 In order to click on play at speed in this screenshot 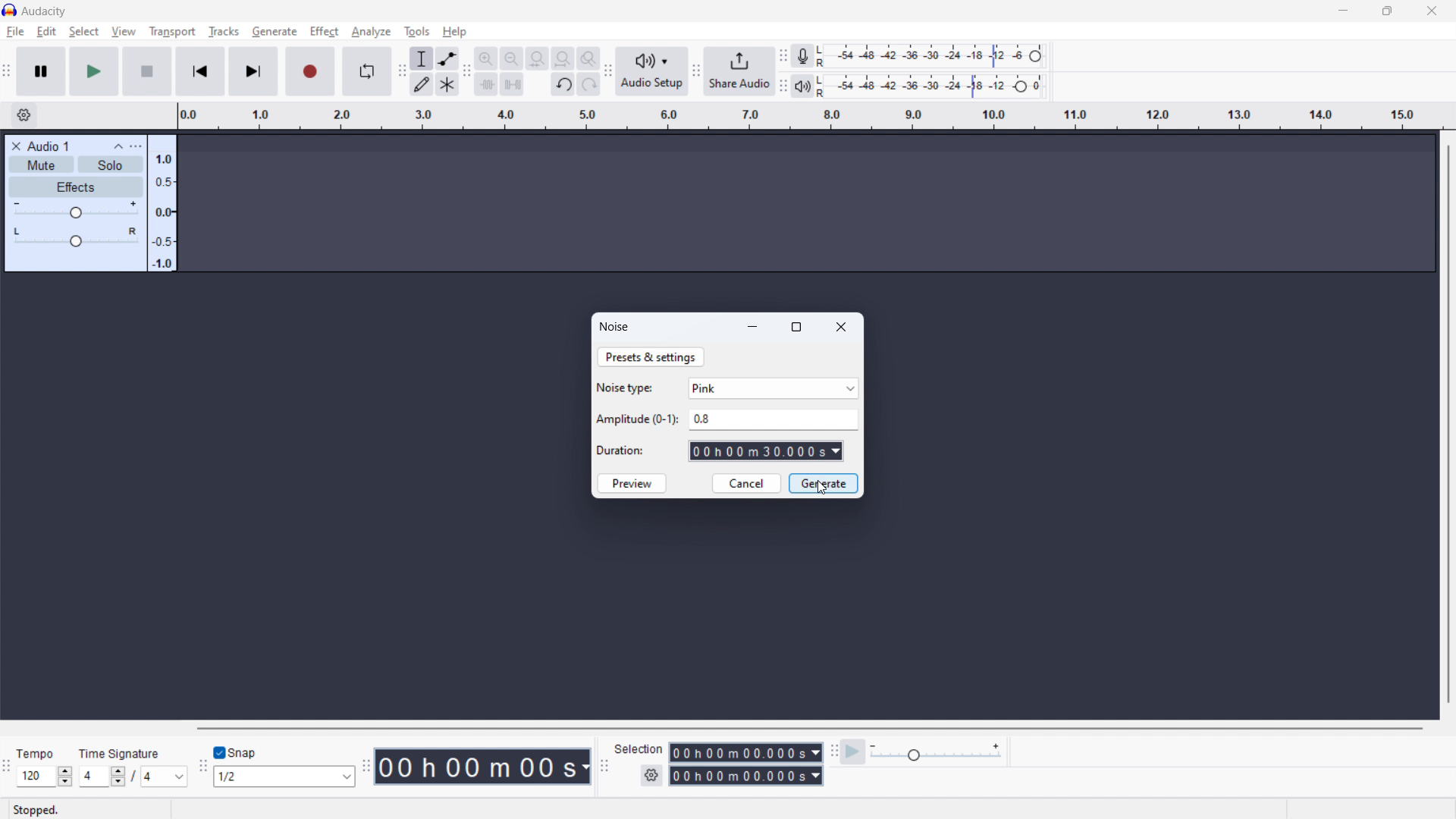, I will do `click(853, 752)`.